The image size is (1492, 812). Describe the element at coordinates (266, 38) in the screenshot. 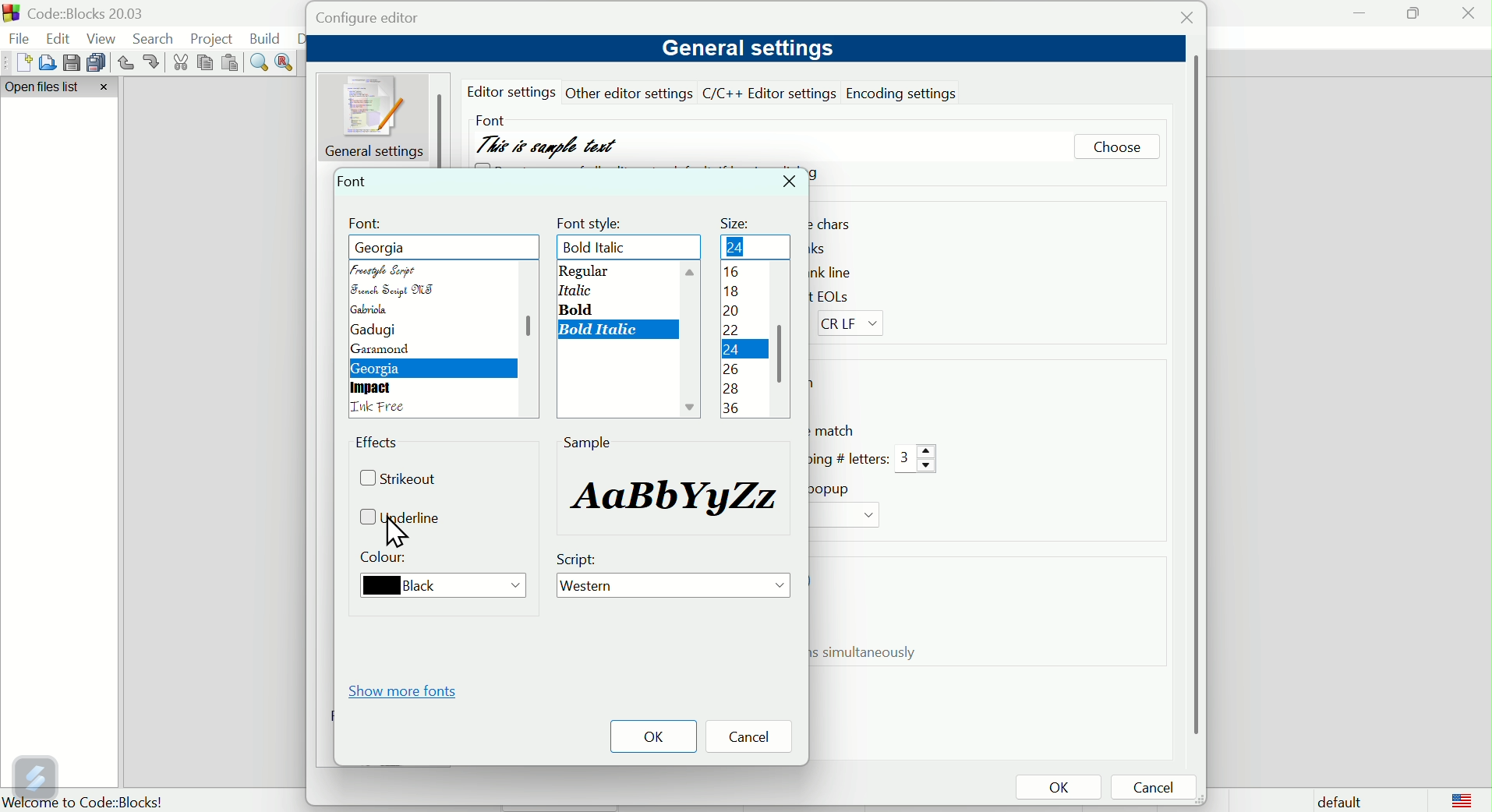

I see `Build` at that location.